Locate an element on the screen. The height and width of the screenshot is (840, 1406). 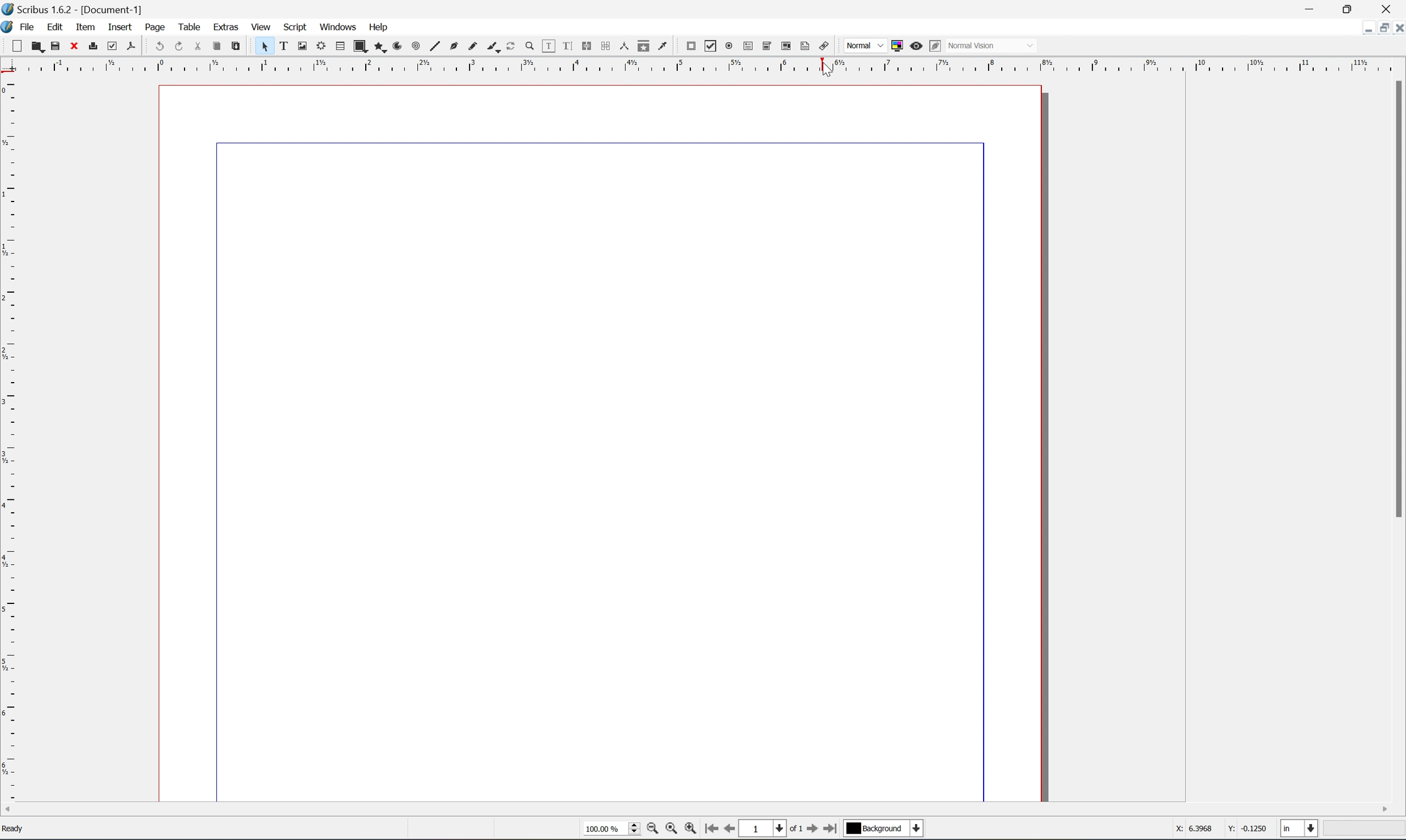
zoom to 100% is located at coordinates (672, 831).